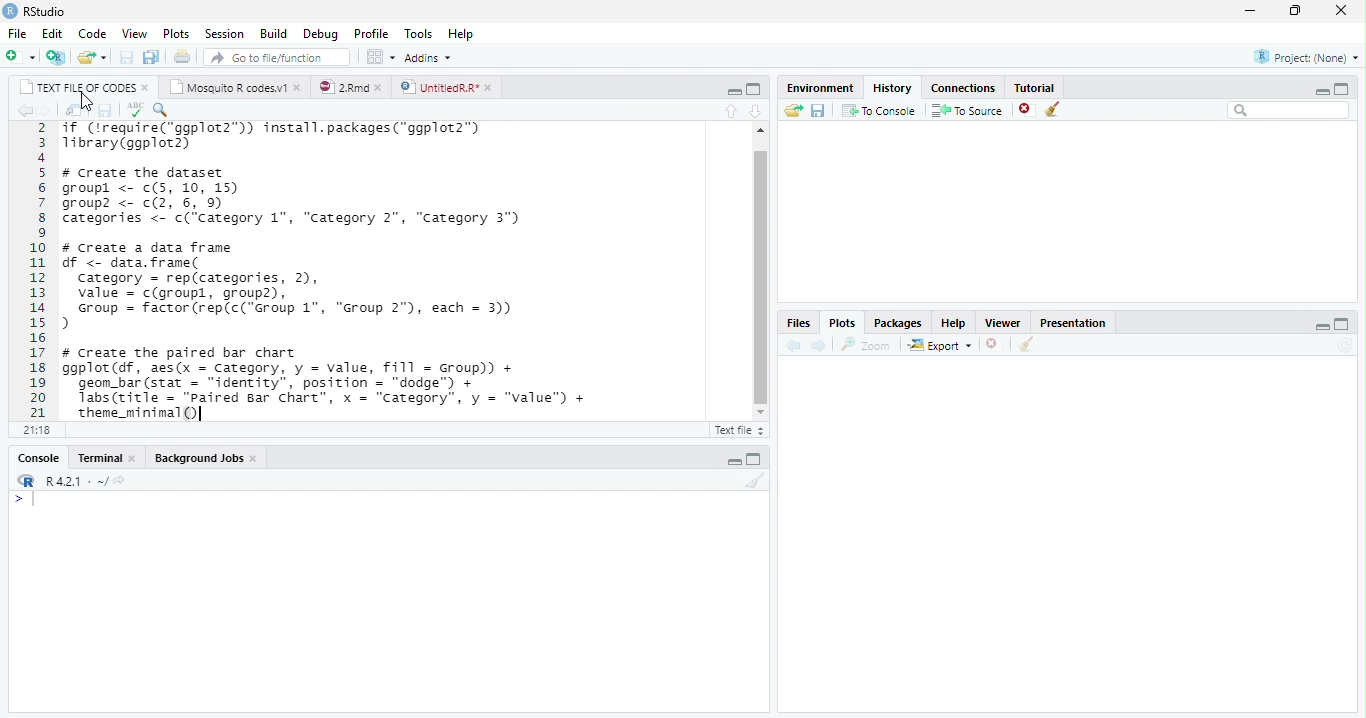 The width and height of the screenshot is (1366, 718). I want to click on Rscript, so click(738, 431).